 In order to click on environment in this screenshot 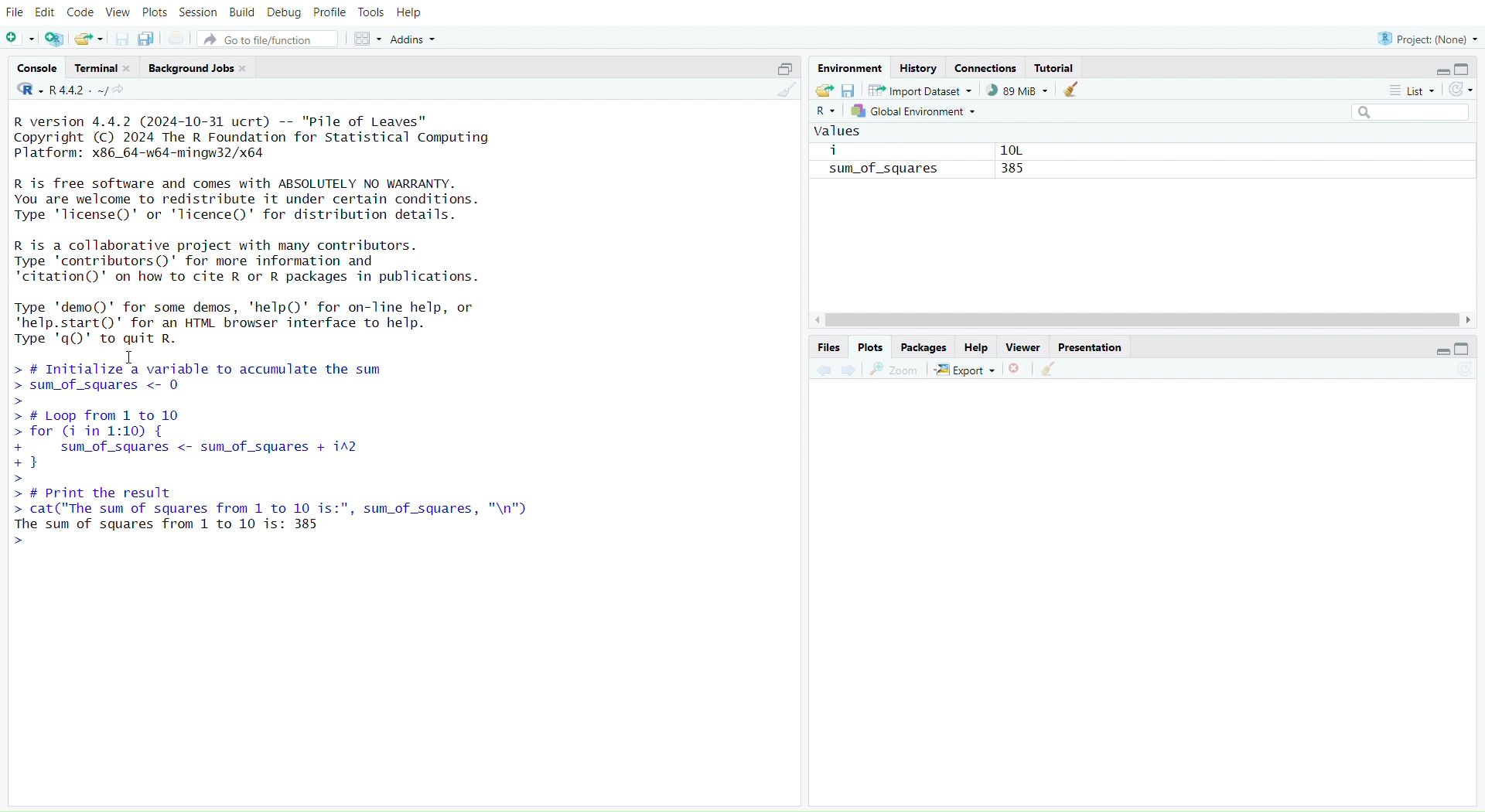, I will do `click(847, 68)`.